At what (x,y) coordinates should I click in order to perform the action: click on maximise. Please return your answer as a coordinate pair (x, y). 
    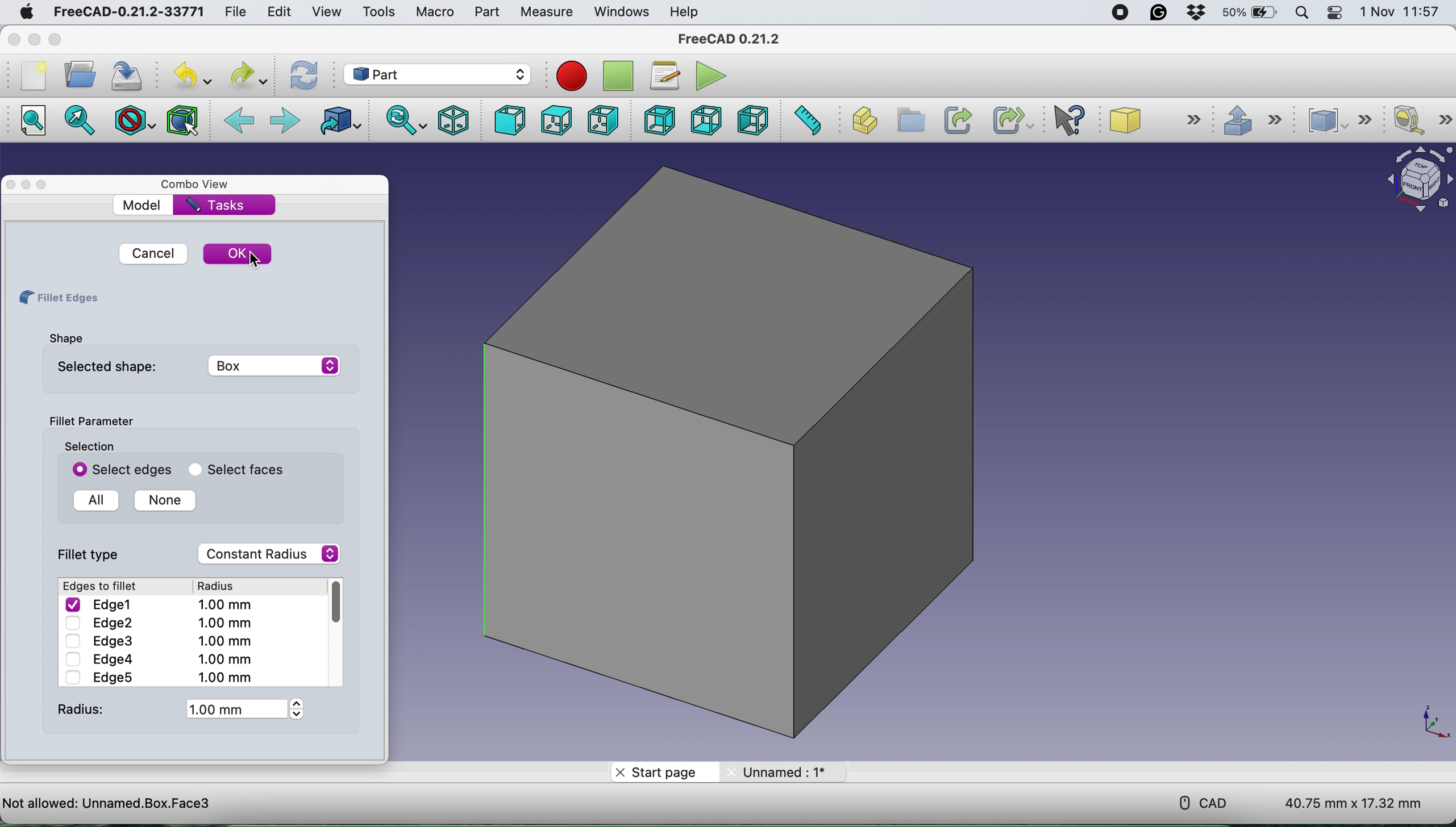
    Looking at the image, I should click on (46, 183).